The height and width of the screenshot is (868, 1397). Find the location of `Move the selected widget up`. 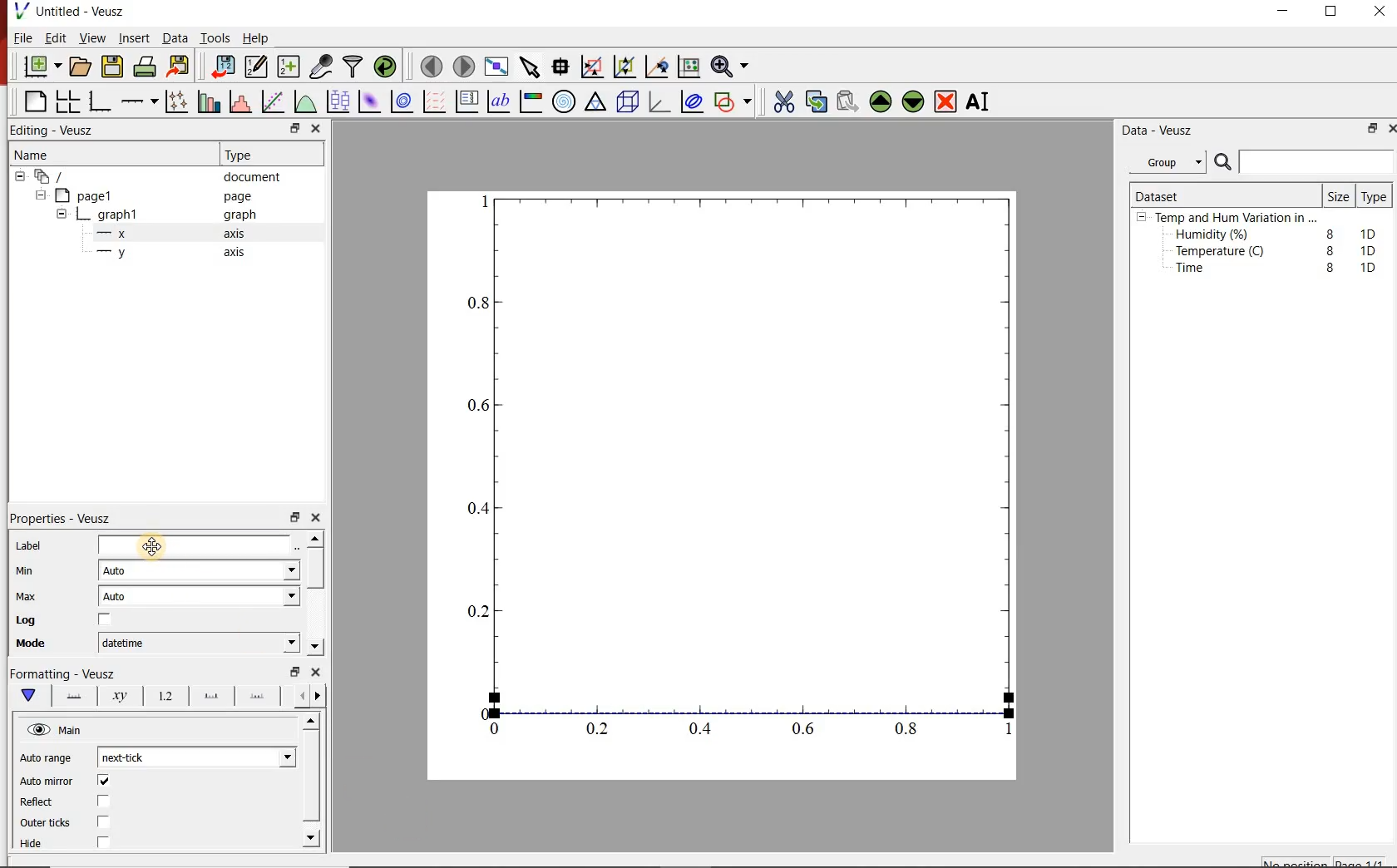

Move the selected widget up is located at coordinates (881, 100).